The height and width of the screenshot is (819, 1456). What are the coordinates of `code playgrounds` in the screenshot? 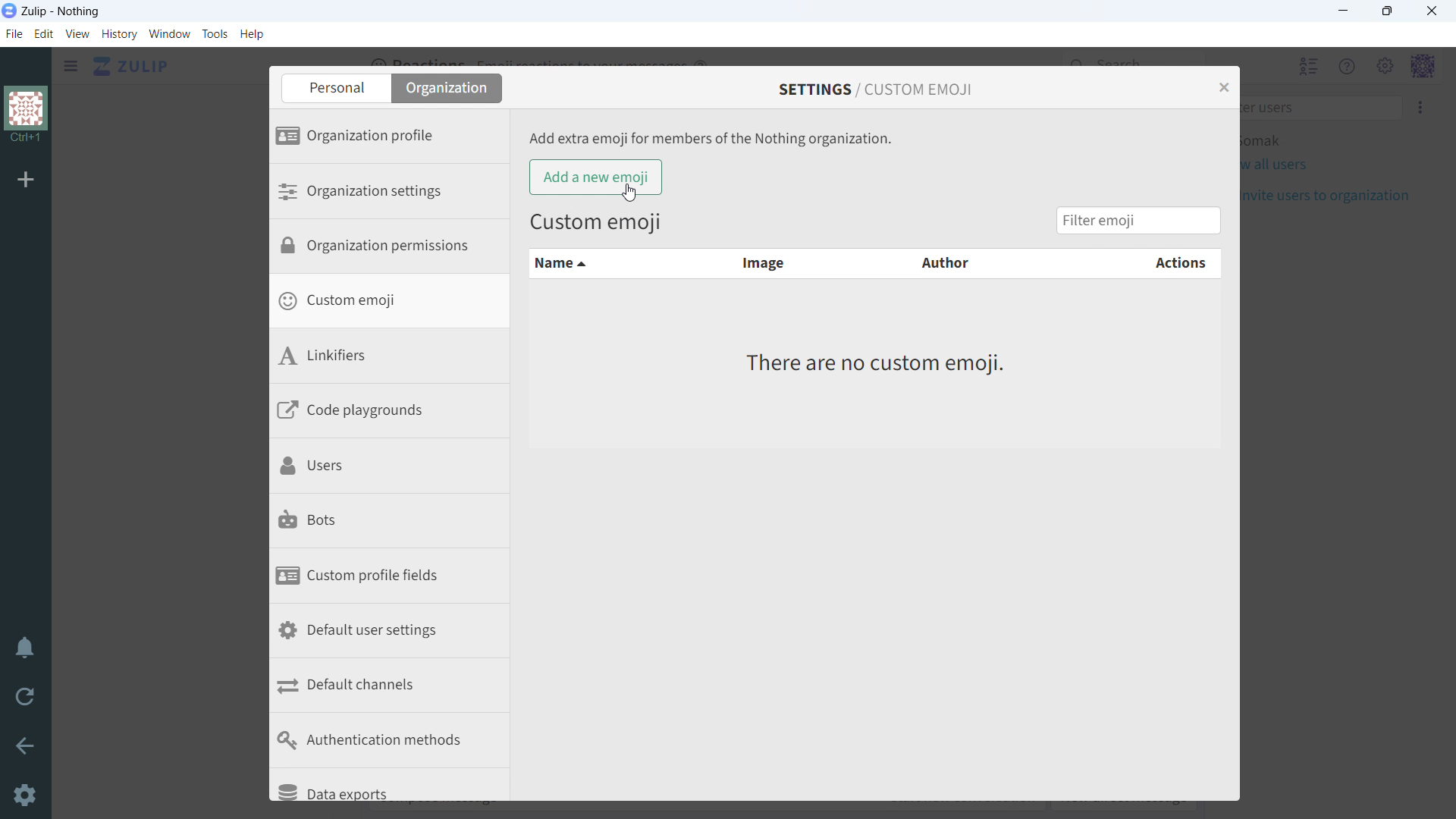 It's located at (389, 413).